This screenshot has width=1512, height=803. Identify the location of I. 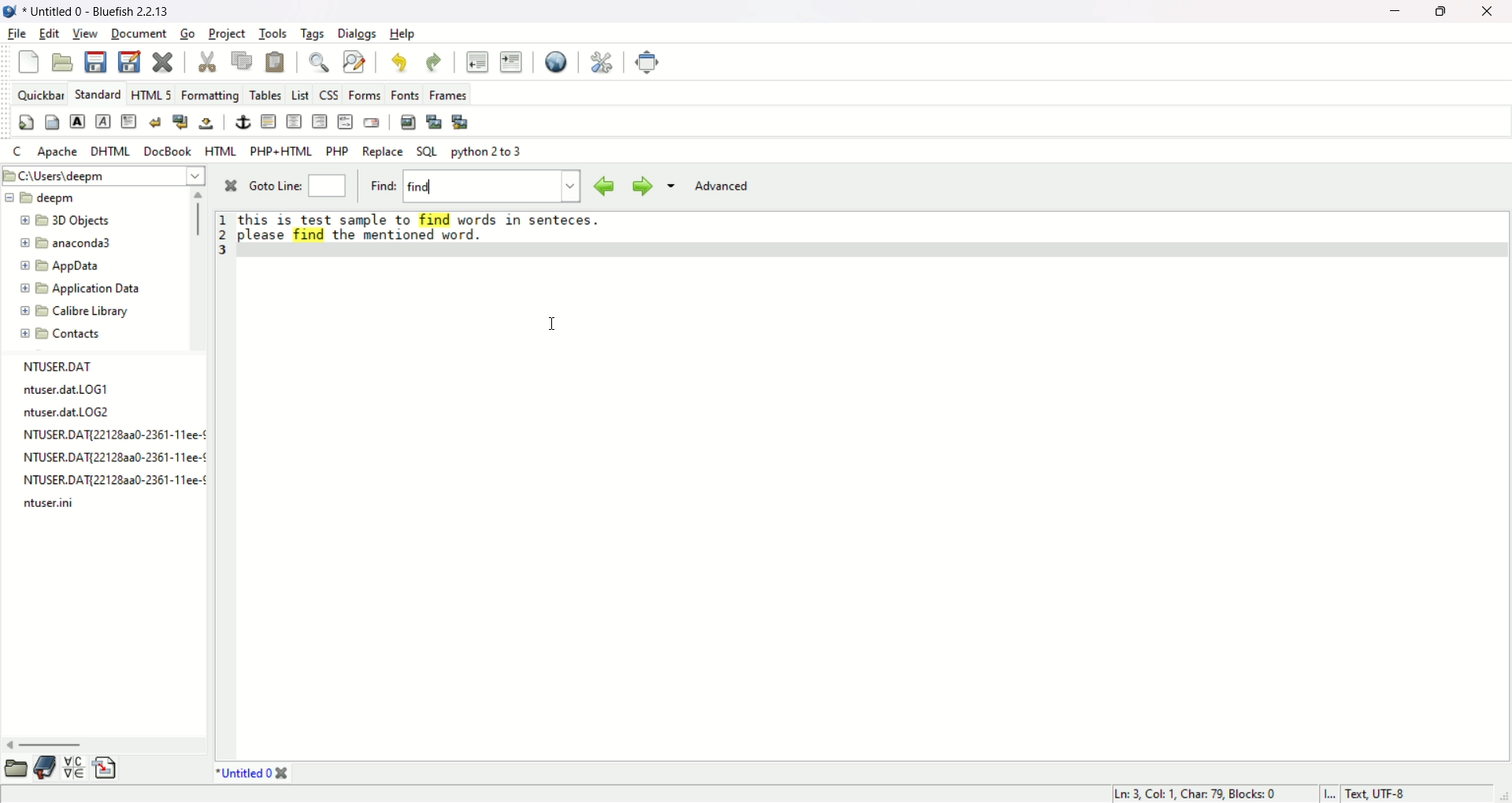
(1329, 795).